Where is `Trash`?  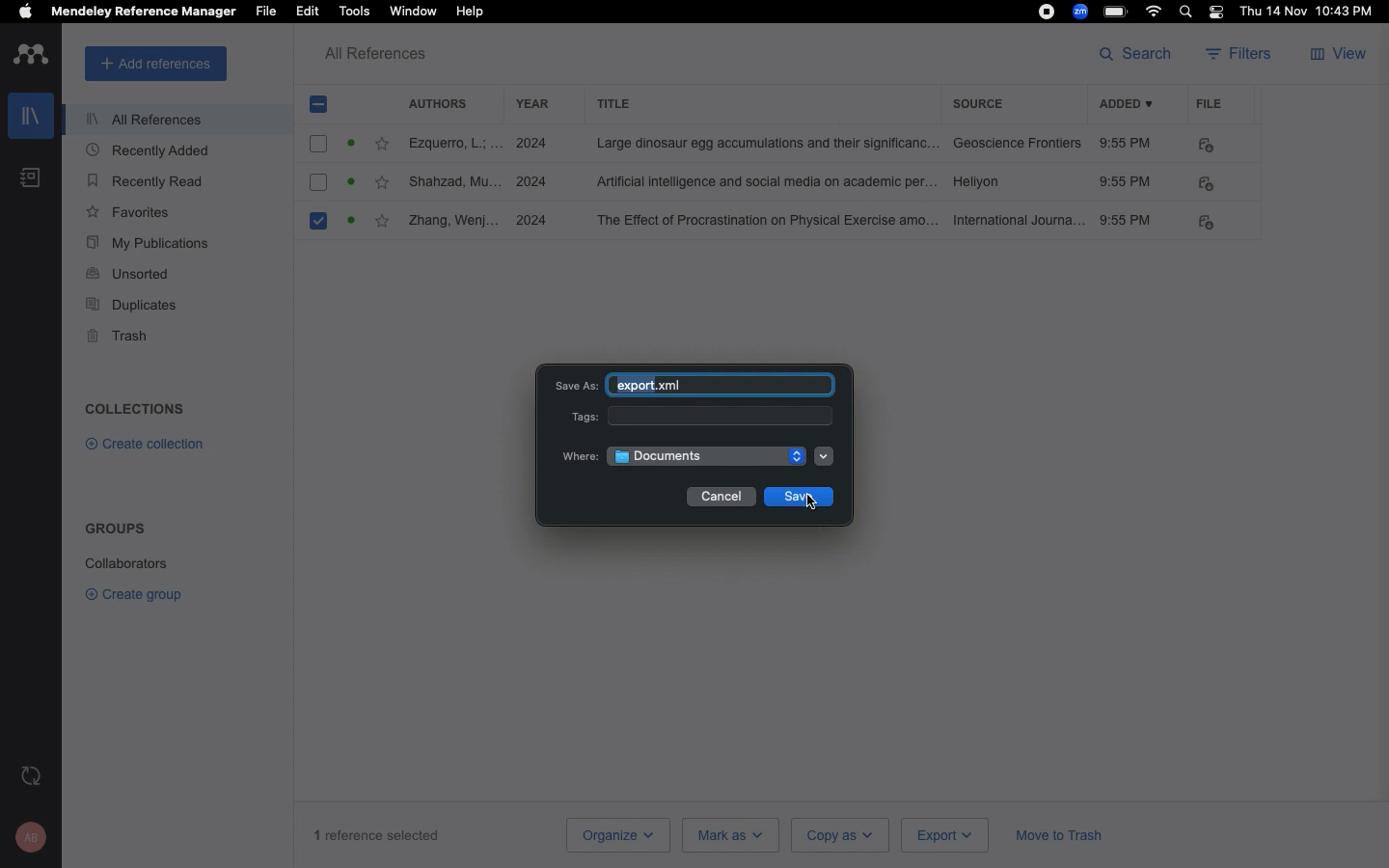
Trash is located at coordinates (118, 336).